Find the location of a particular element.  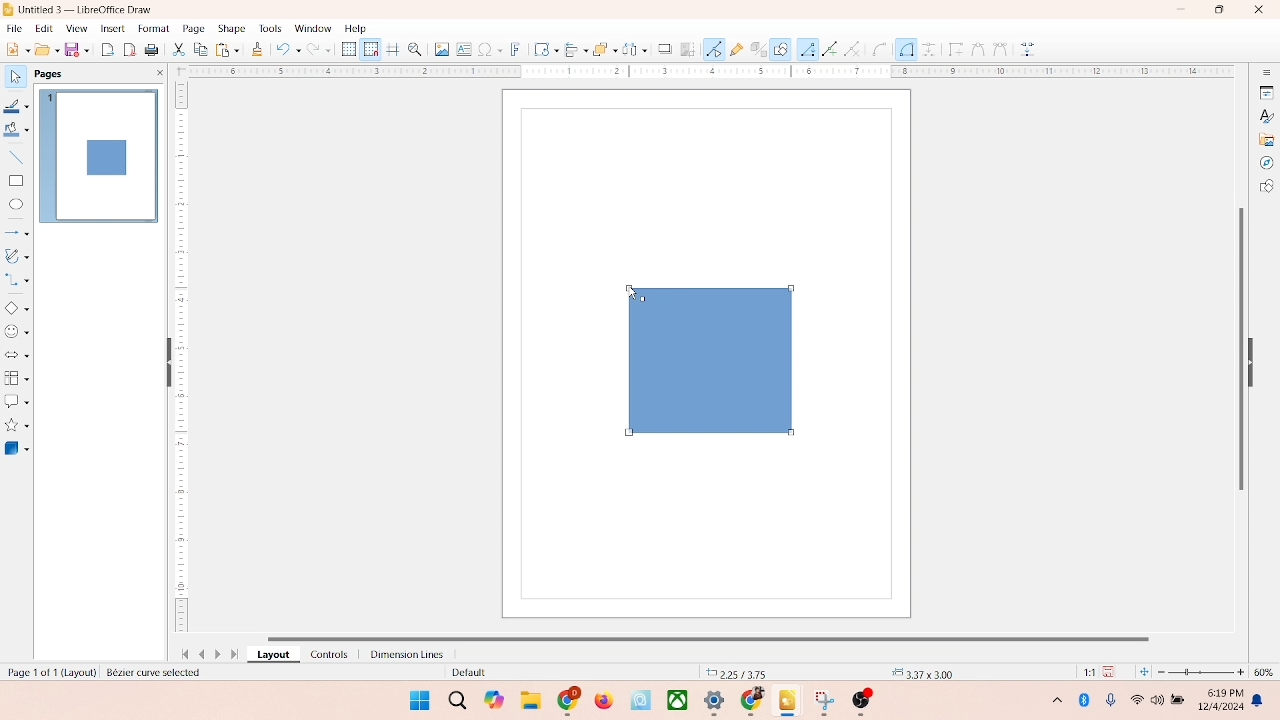

undo is located at coordinates (288, 51).